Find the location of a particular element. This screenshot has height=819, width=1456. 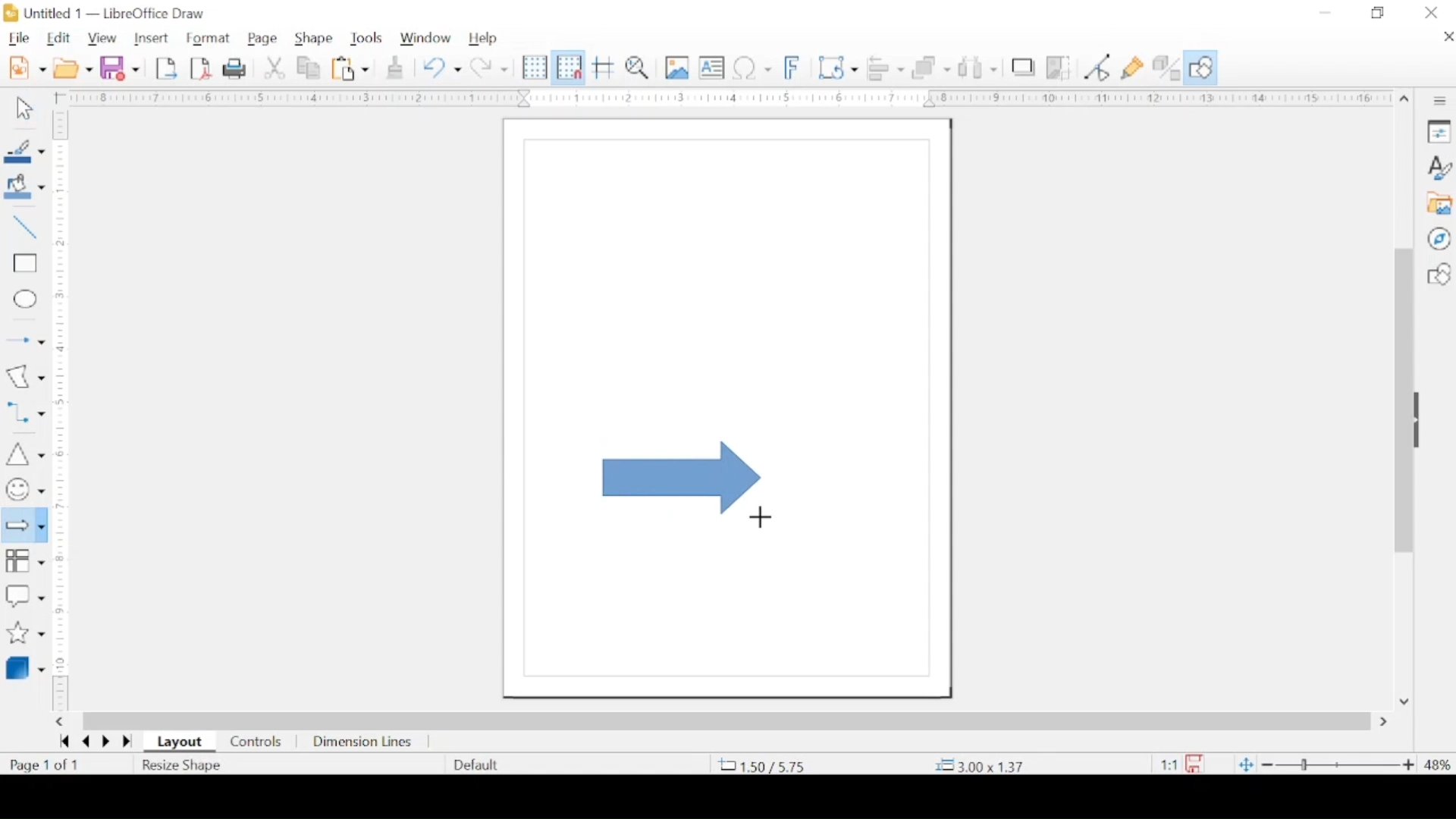

toggle point edit mode is located at coordinates (1097, 67).